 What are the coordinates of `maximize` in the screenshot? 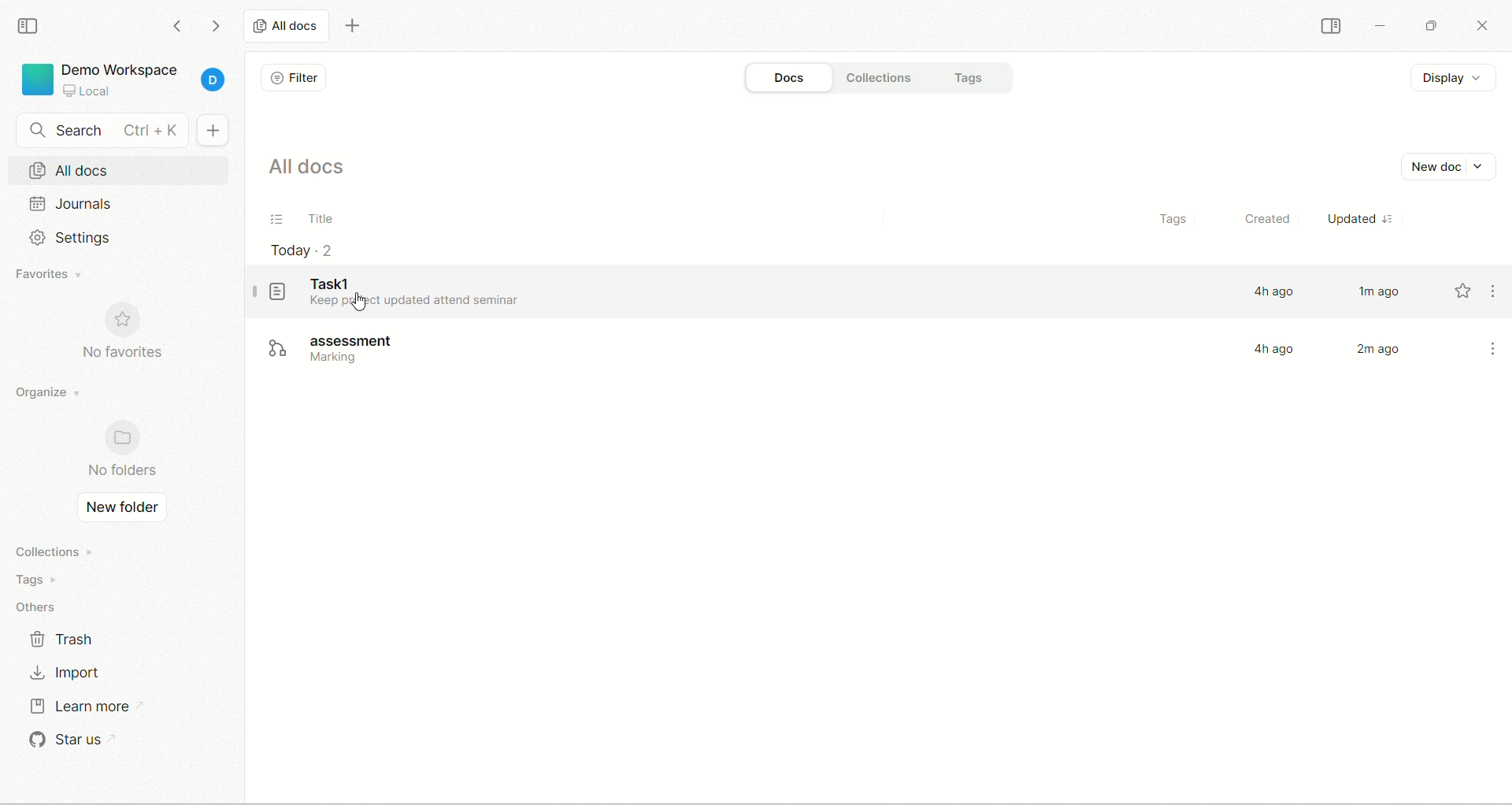 It's located at (1429, 24).